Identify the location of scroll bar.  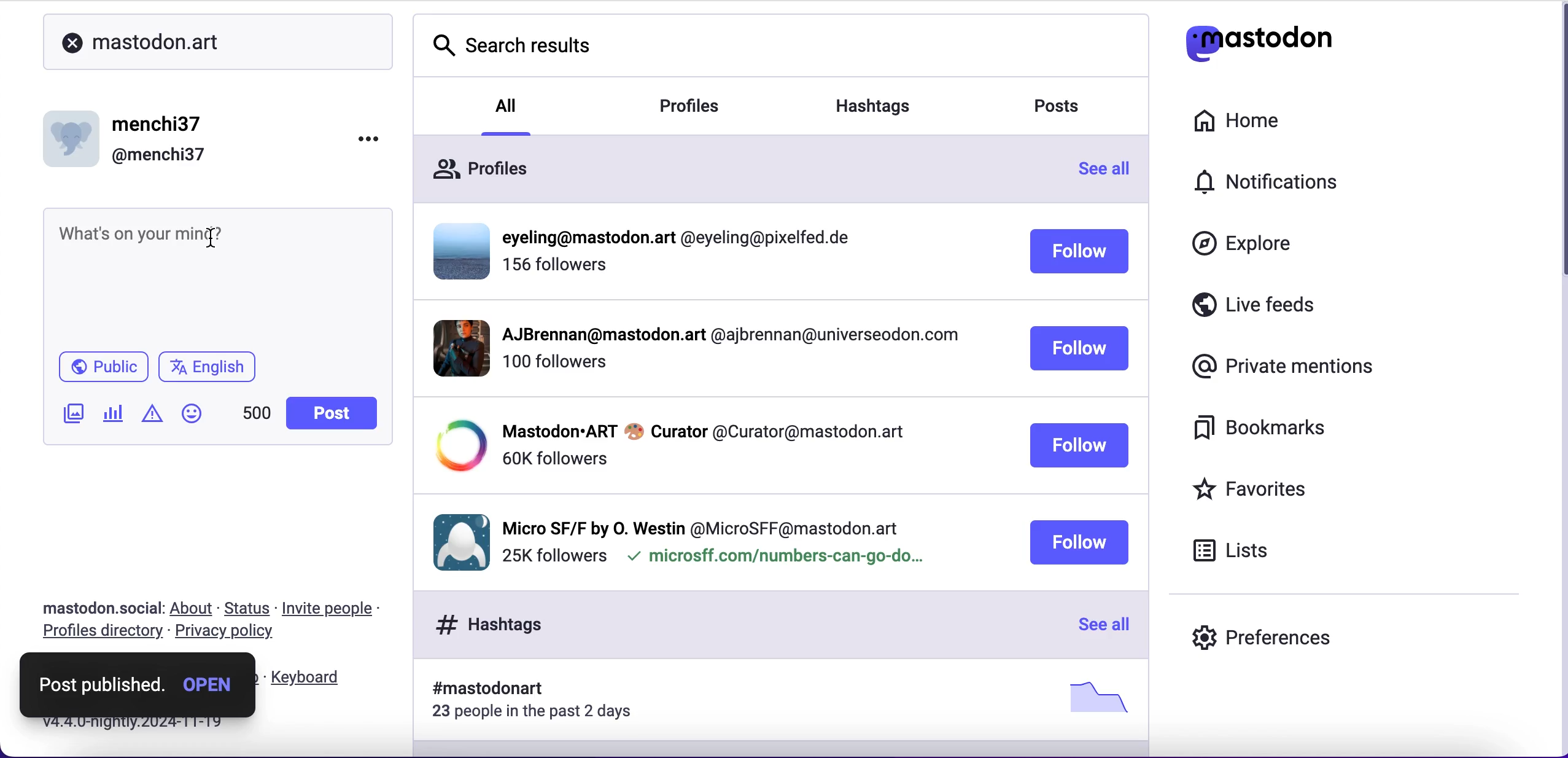
(1557, 147).